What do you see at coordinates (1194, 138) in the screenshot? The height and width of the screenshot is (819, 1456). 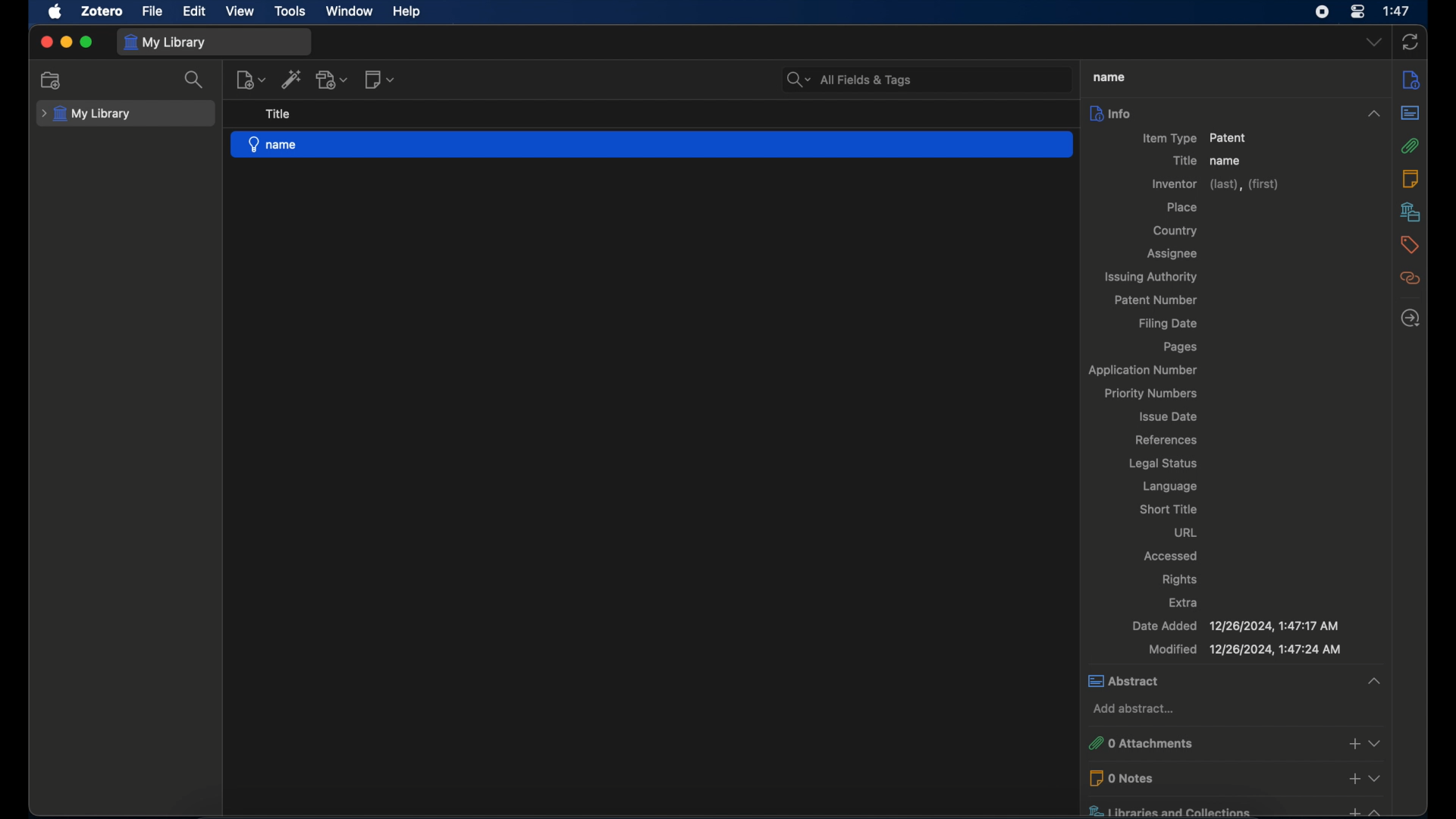 I see `item type patient` at bounding box center [1194, 138].